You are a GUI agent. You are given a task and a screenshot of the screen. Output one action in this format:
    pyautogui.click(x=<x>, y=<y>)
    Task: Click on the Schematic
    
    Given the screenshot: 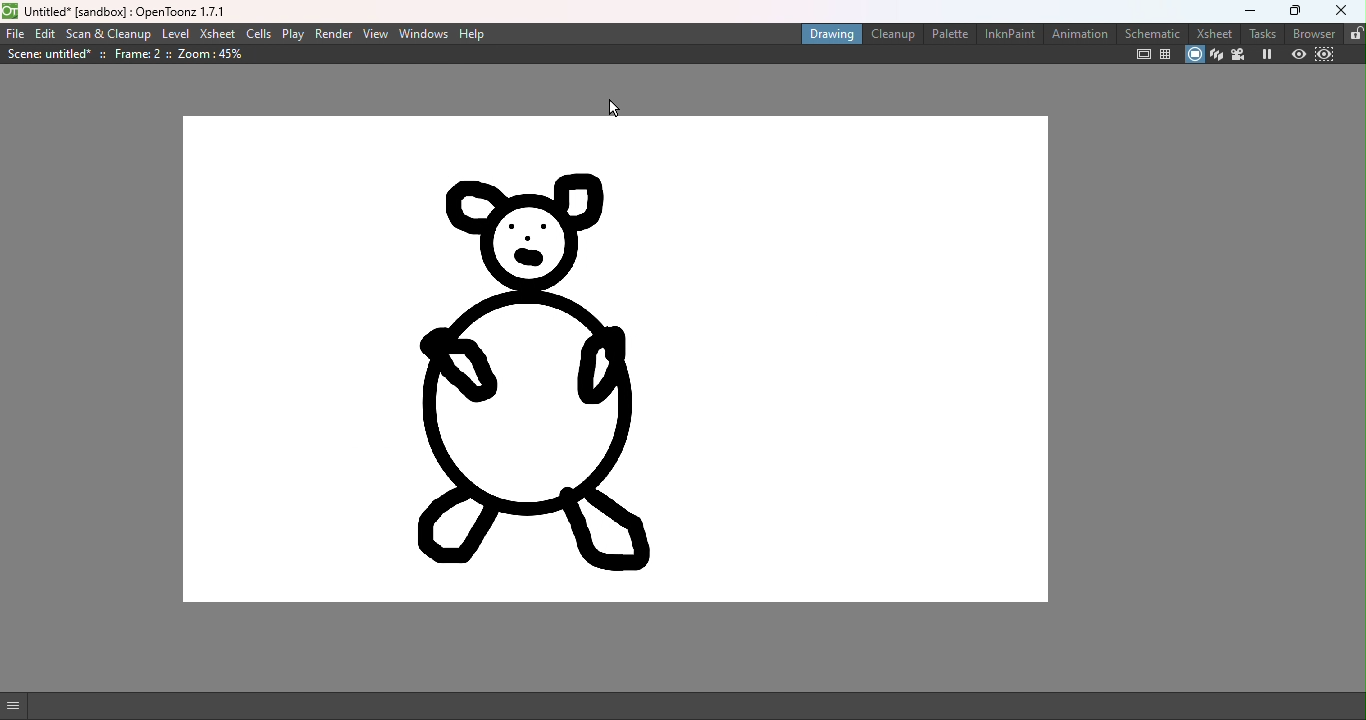 What is the action you would take?
    pyautogui.click(x=1153, y=32)
    